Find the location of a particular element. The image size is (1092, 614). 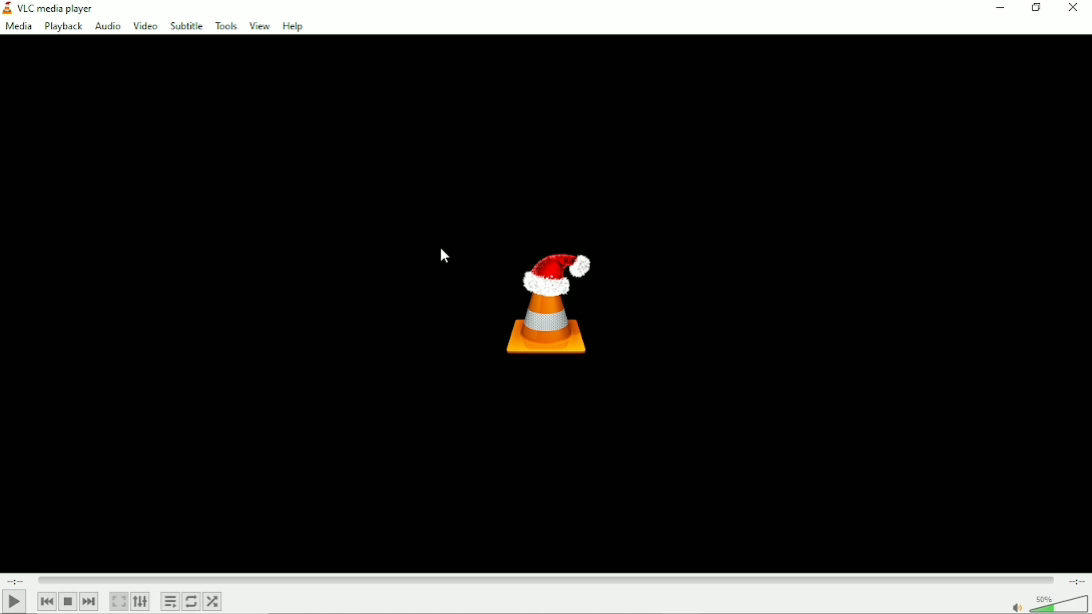

View is located at coordinates (259, 26).